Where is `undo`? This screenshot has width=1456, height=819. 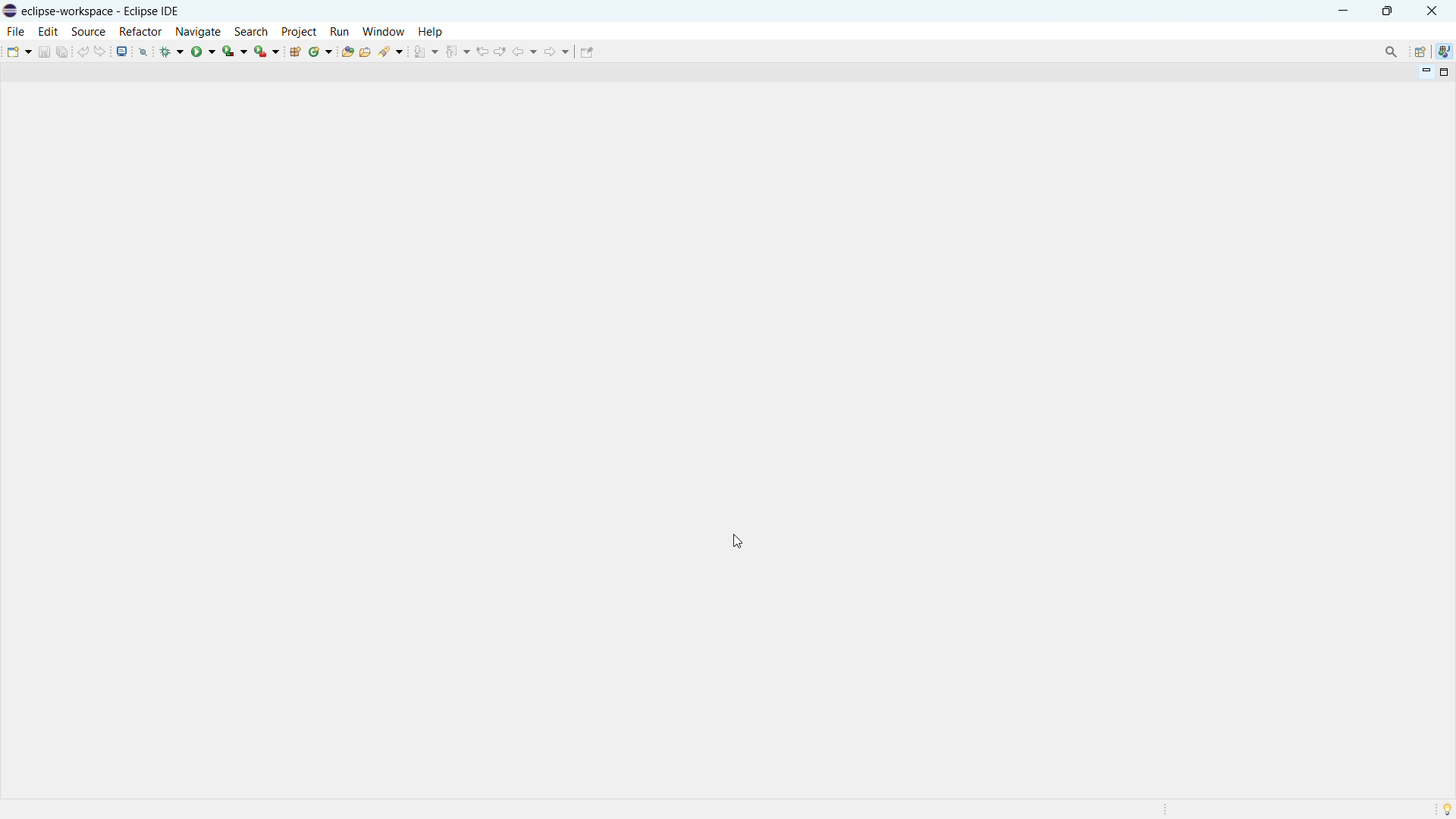
undo is located at coordinates (83, 51).